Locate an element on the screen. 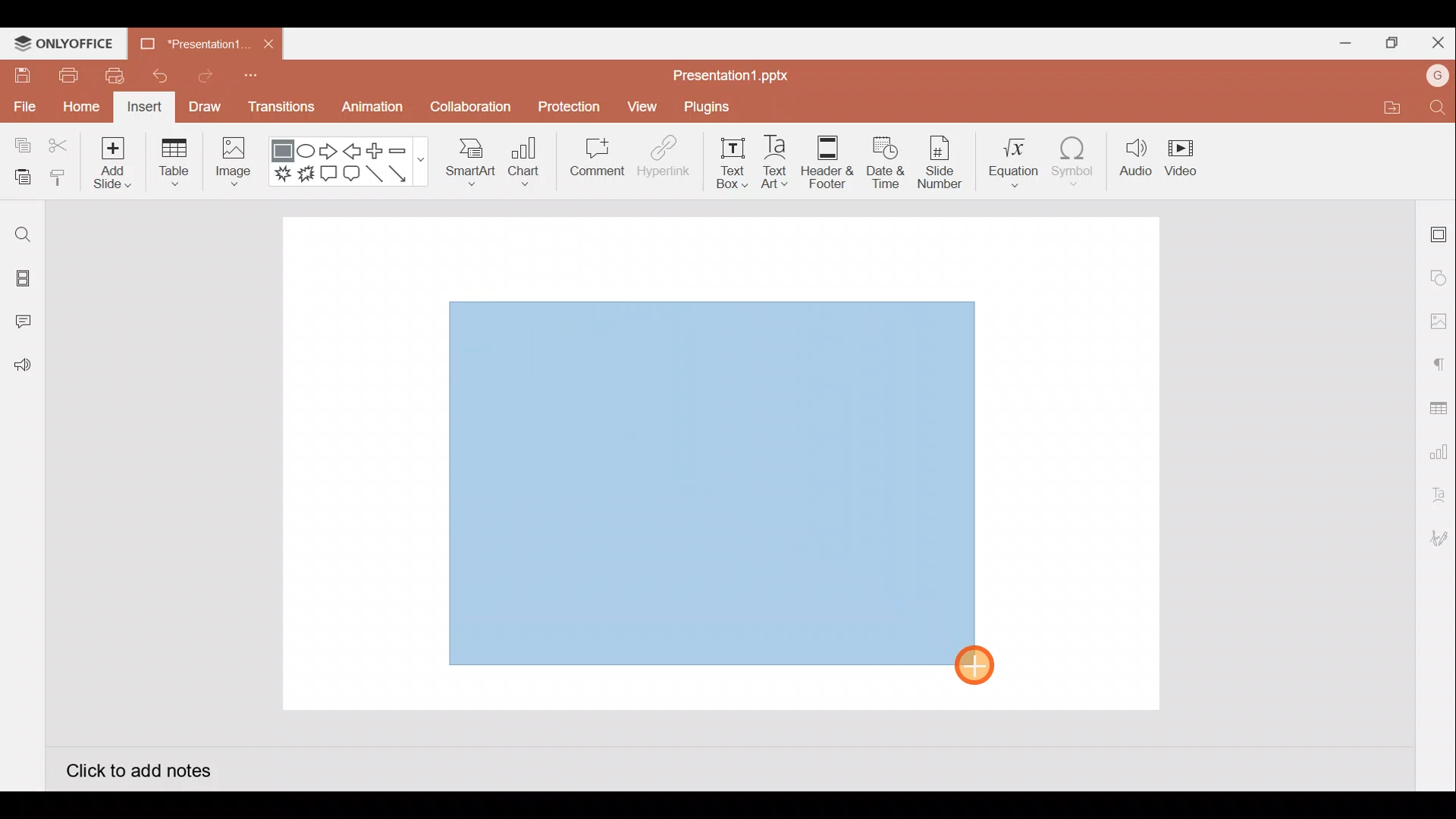 The width and height of the screenshot is (1456, 819). Video is located at coordinates (1183, 155).